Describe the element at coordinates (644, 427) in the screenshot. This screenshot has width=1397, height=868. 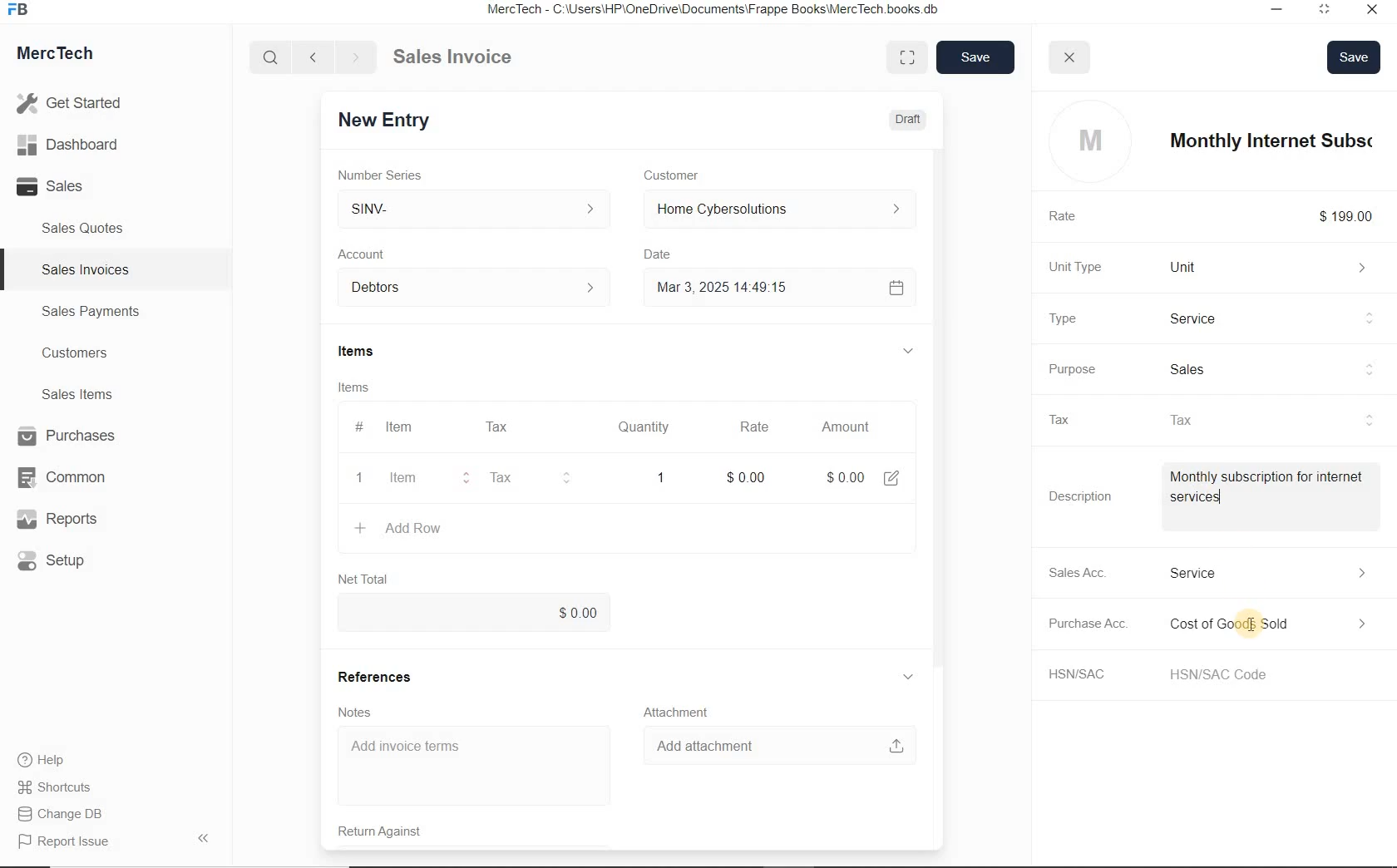
I see `Quantity` at that location.